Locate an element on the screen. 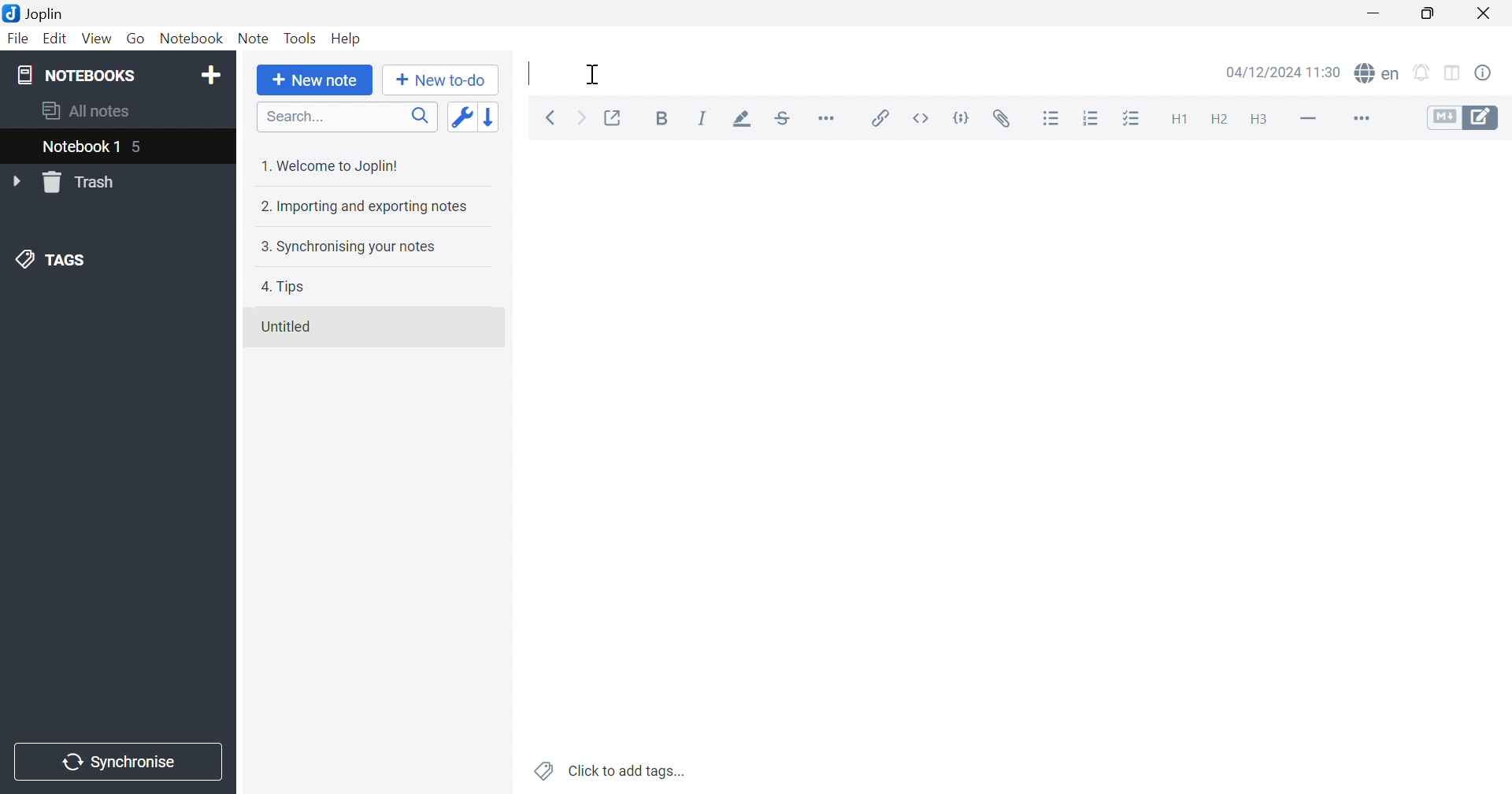 Image resolution: width=1512 pixels, height=794 pixels. Trash is located at coordinates (83, 182).